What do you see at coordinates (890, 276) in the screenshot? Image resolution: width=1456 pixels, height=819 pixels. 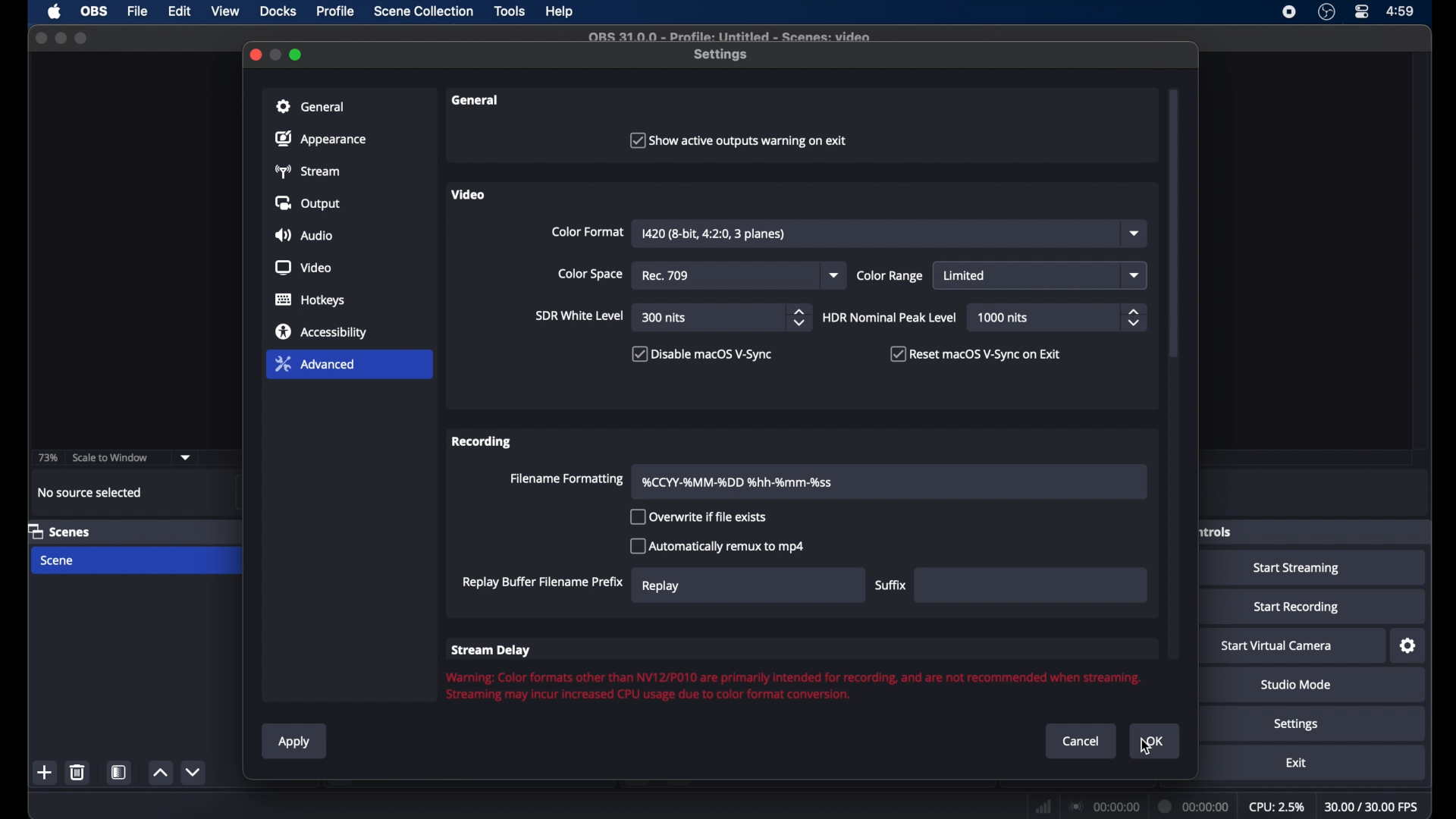 I see `color range` at bounding box center [890, 276].